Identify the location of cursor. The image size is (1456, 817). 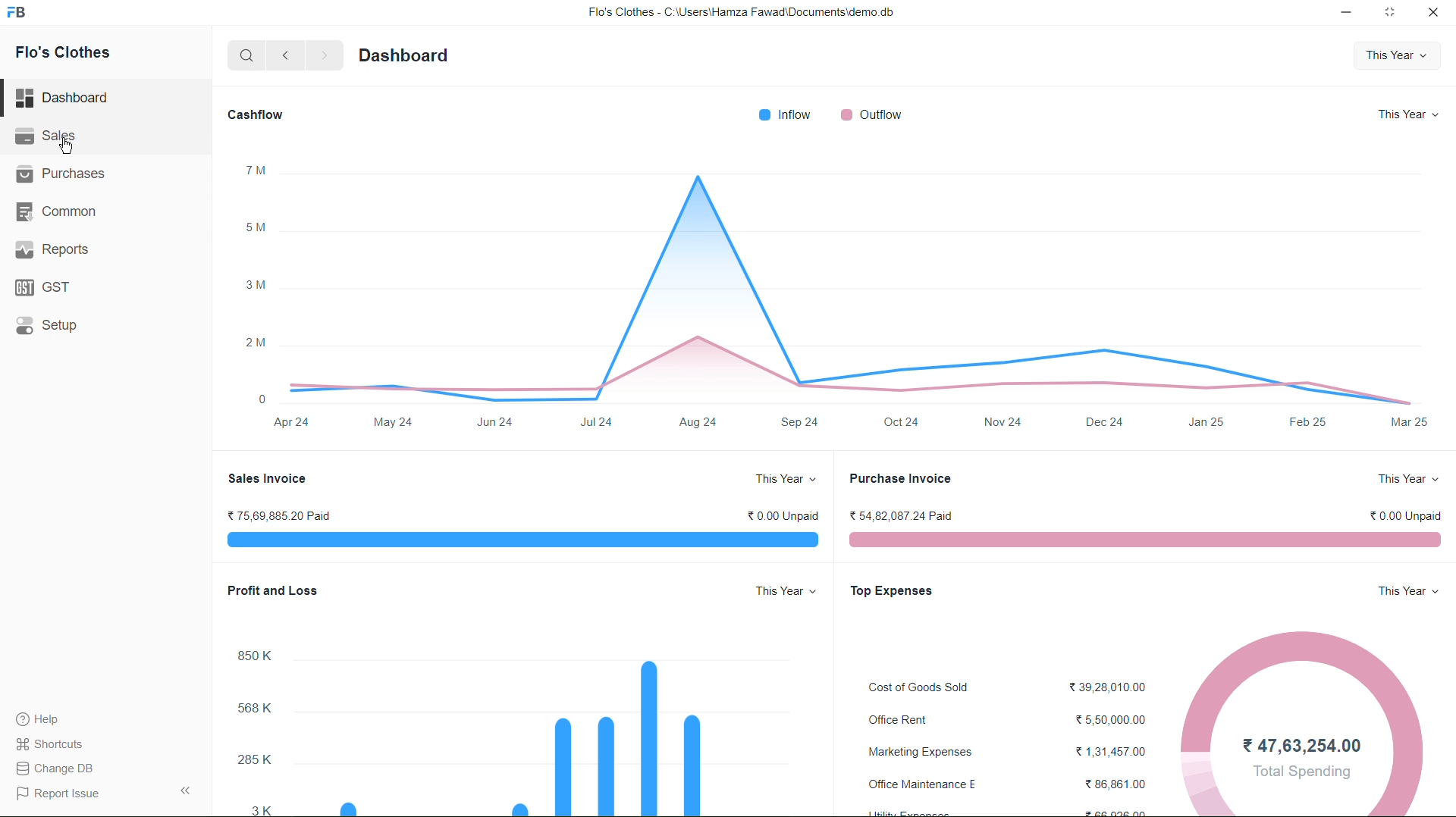
(67, 147).